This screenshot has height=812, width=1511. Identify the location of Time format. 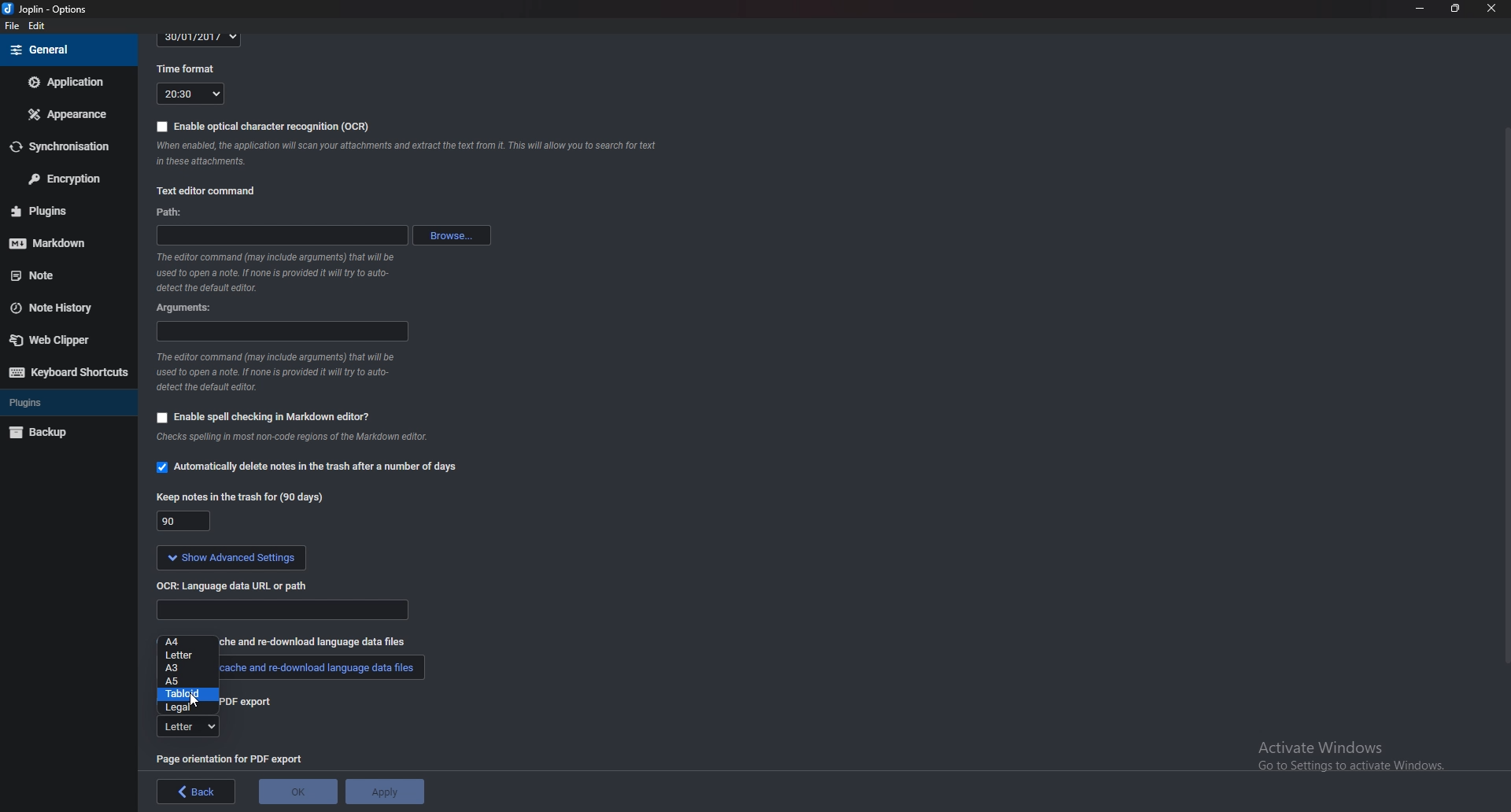
(191, 68).